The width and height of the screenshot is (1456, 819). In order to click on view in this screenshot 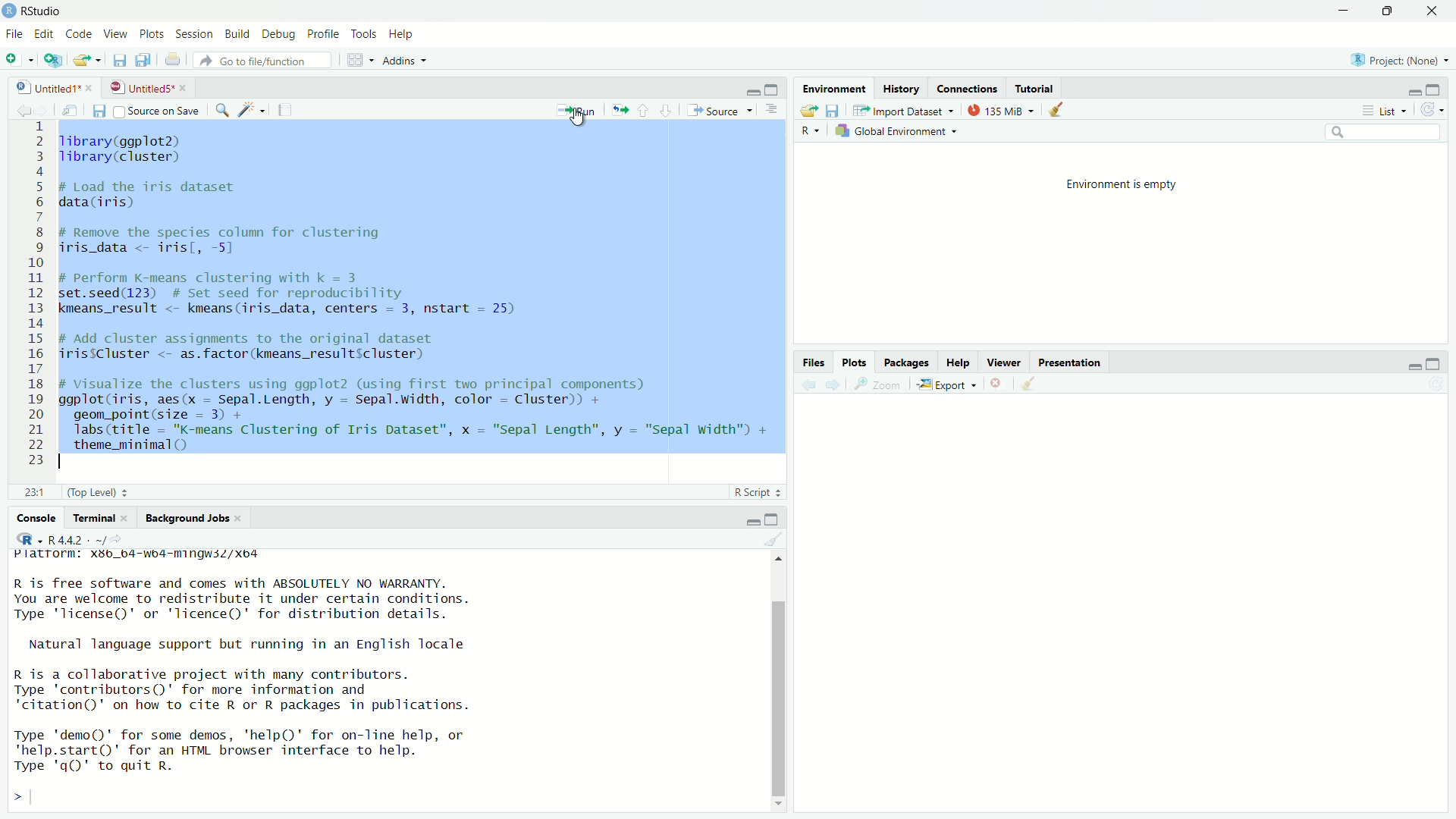, I will do `click(112, 33)`.